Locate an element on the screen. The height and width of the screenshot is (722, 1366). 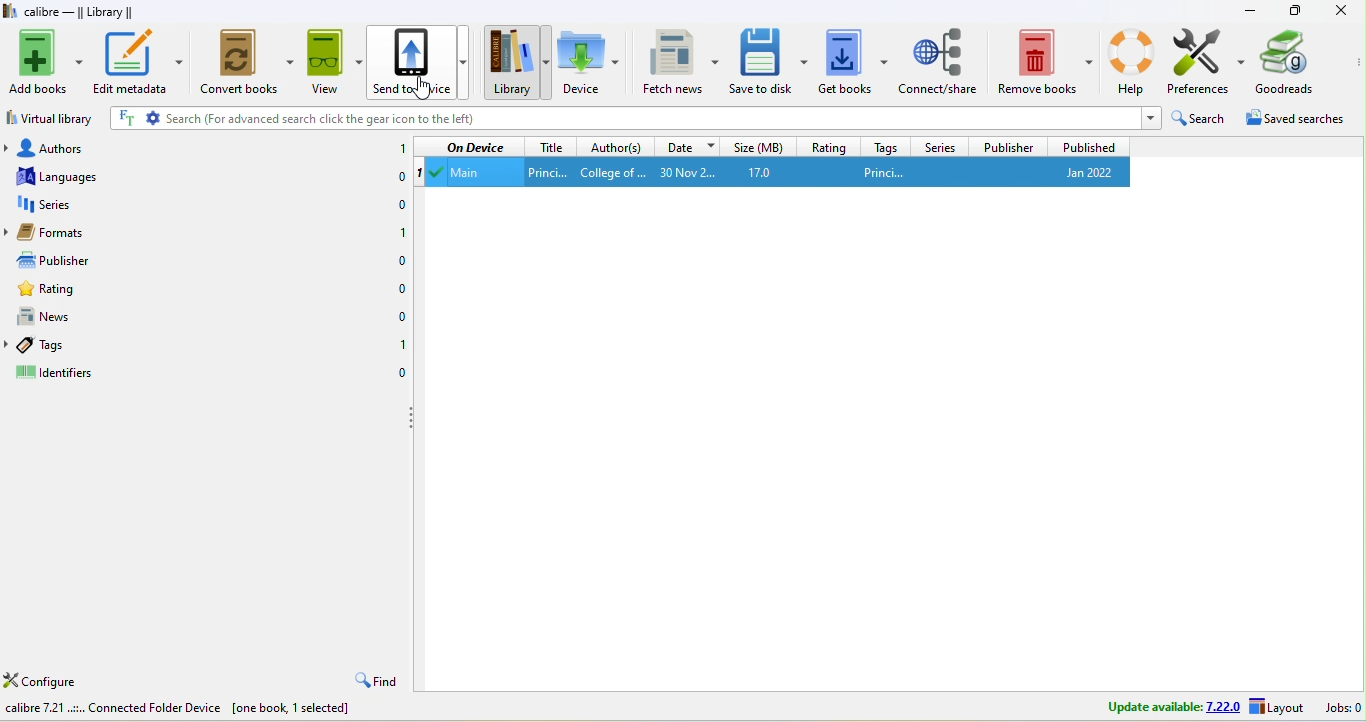
close is located at coordinates (1338, 12).